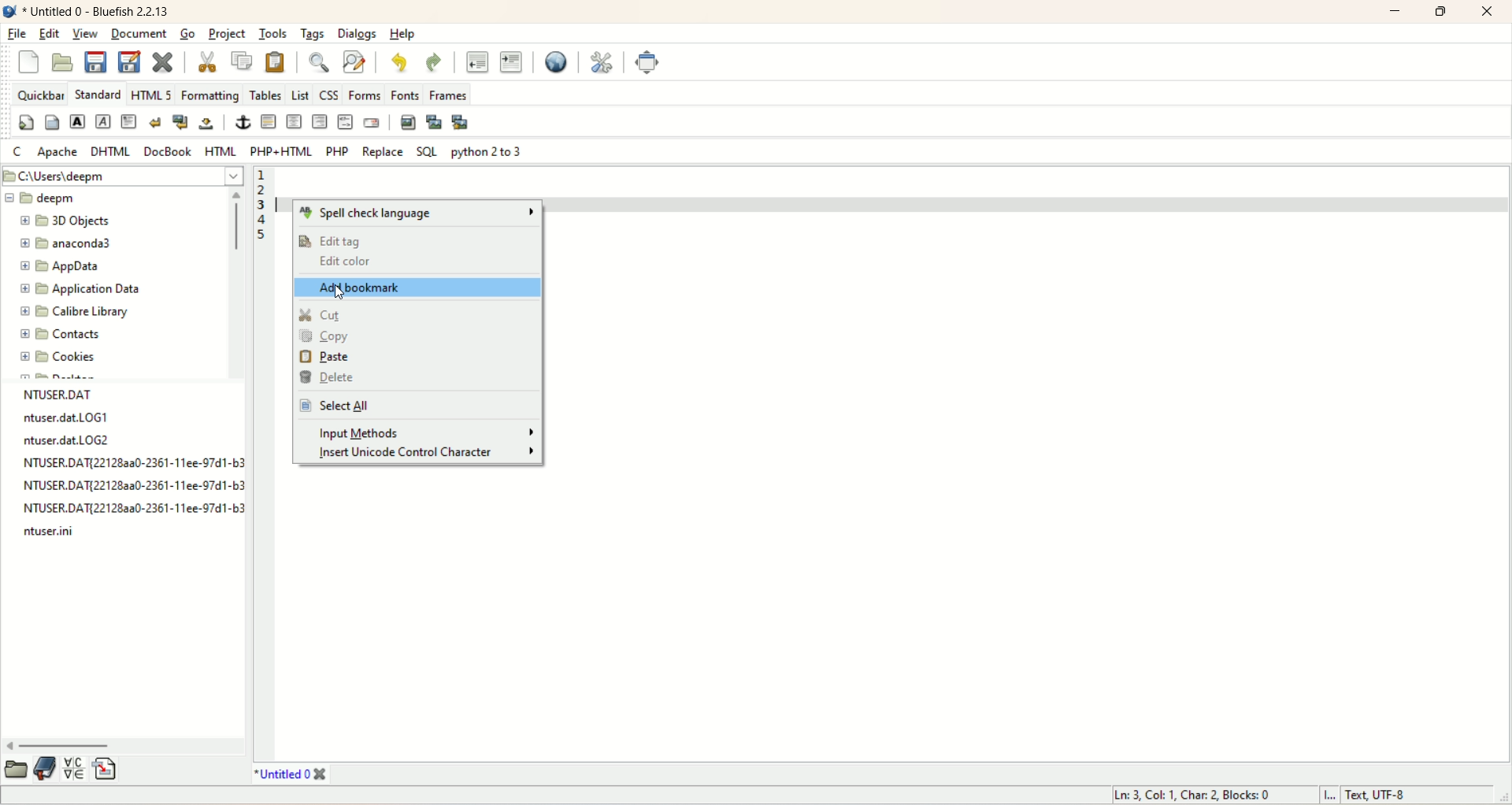  Describe the element at coordinates (404, 95) in the screenshot. I see `fonts` at that location.